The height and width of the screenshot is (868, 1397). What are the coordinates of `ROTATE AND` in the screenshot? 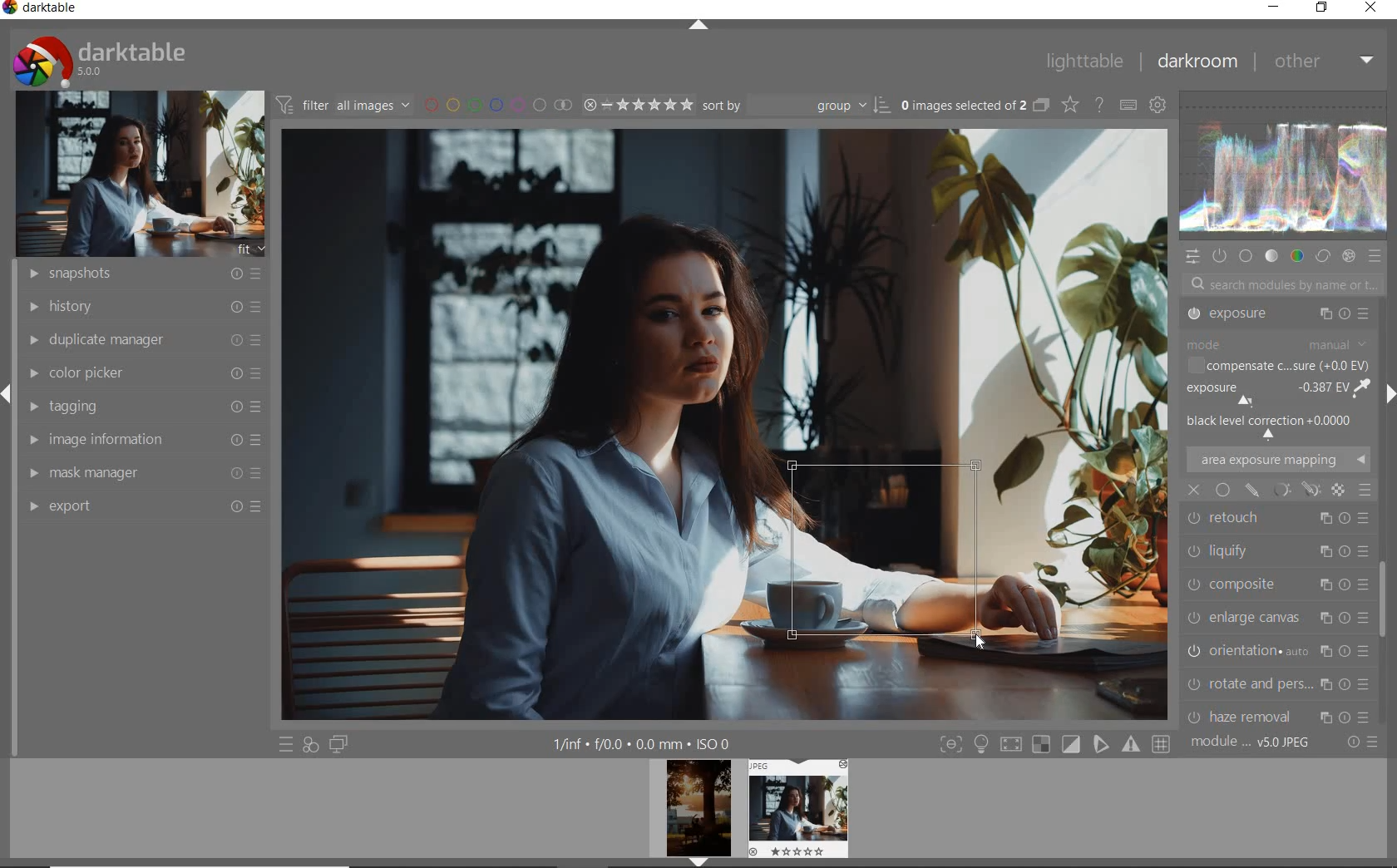 It's located at (1275, 582).